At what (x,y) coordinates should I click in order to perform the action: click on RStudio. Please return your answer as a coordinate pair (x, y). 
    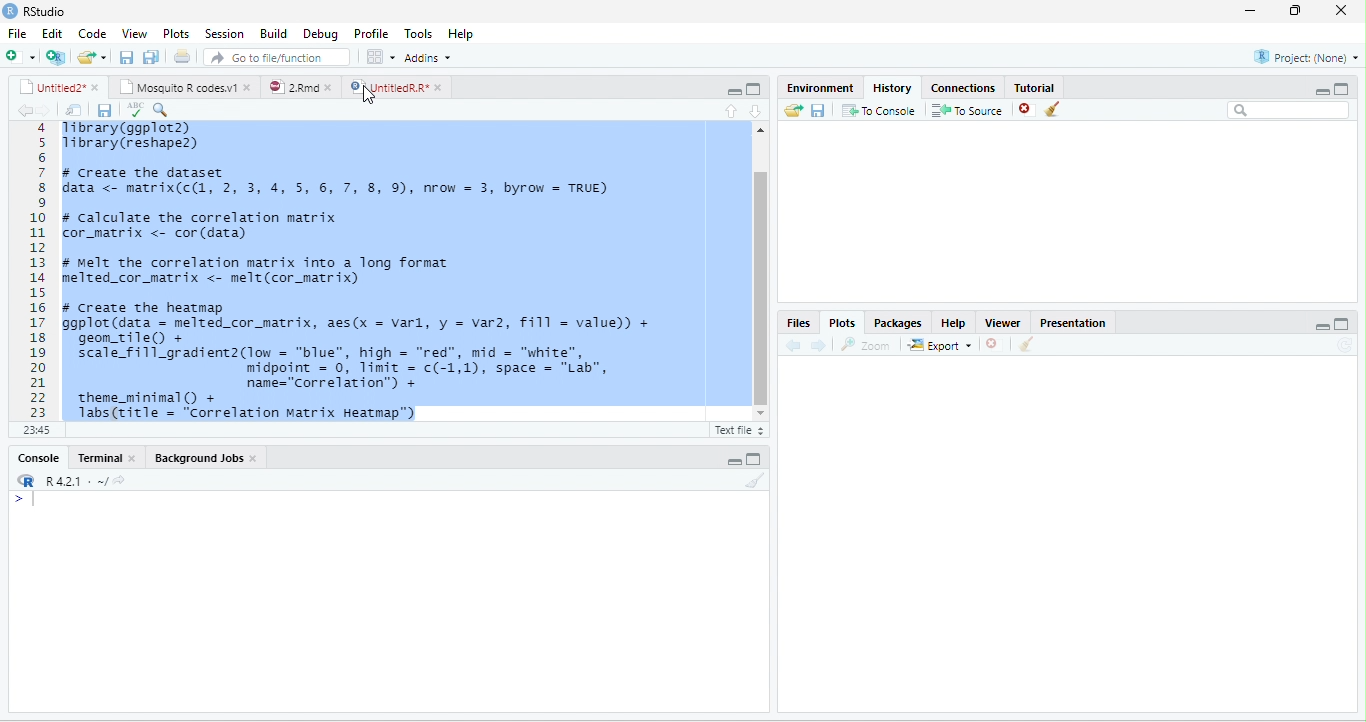
    Looking at the image, I should click on (48, 12).